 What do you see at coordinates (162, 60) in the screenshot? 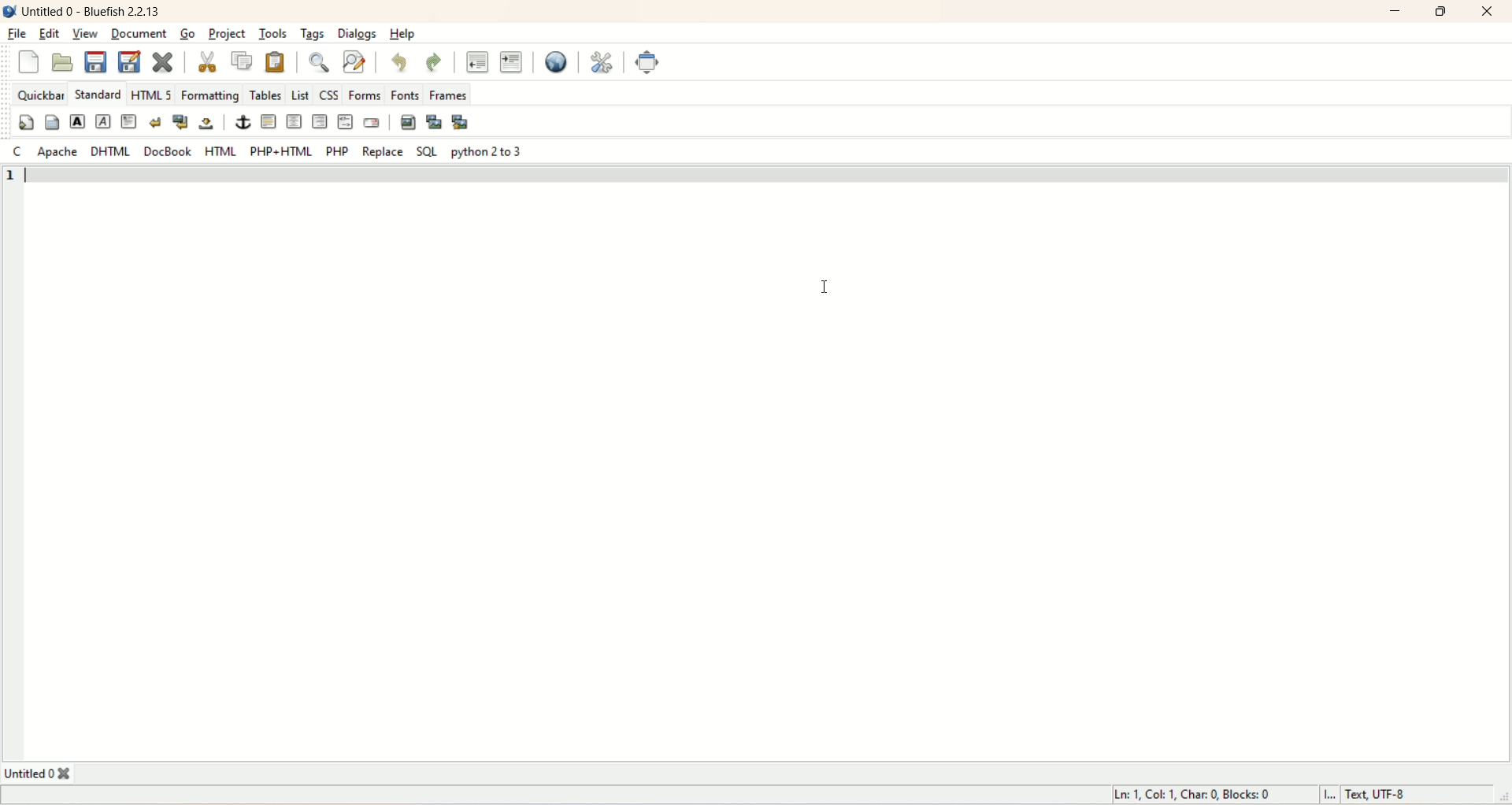
I see `close current file` at bounding box center [162, 60].